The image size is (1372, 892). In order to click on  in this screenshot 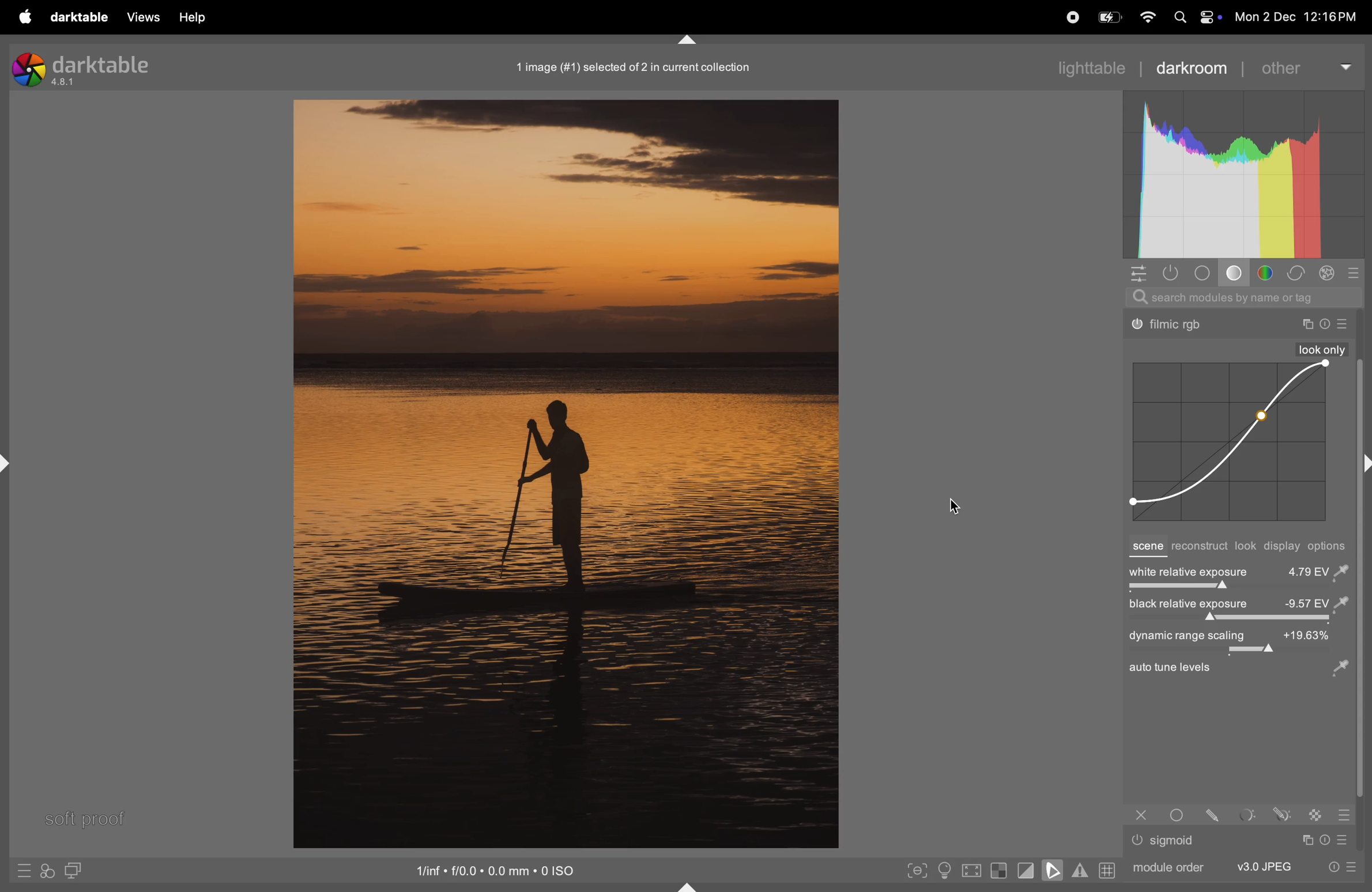, I will do `click(1344, 815)`.